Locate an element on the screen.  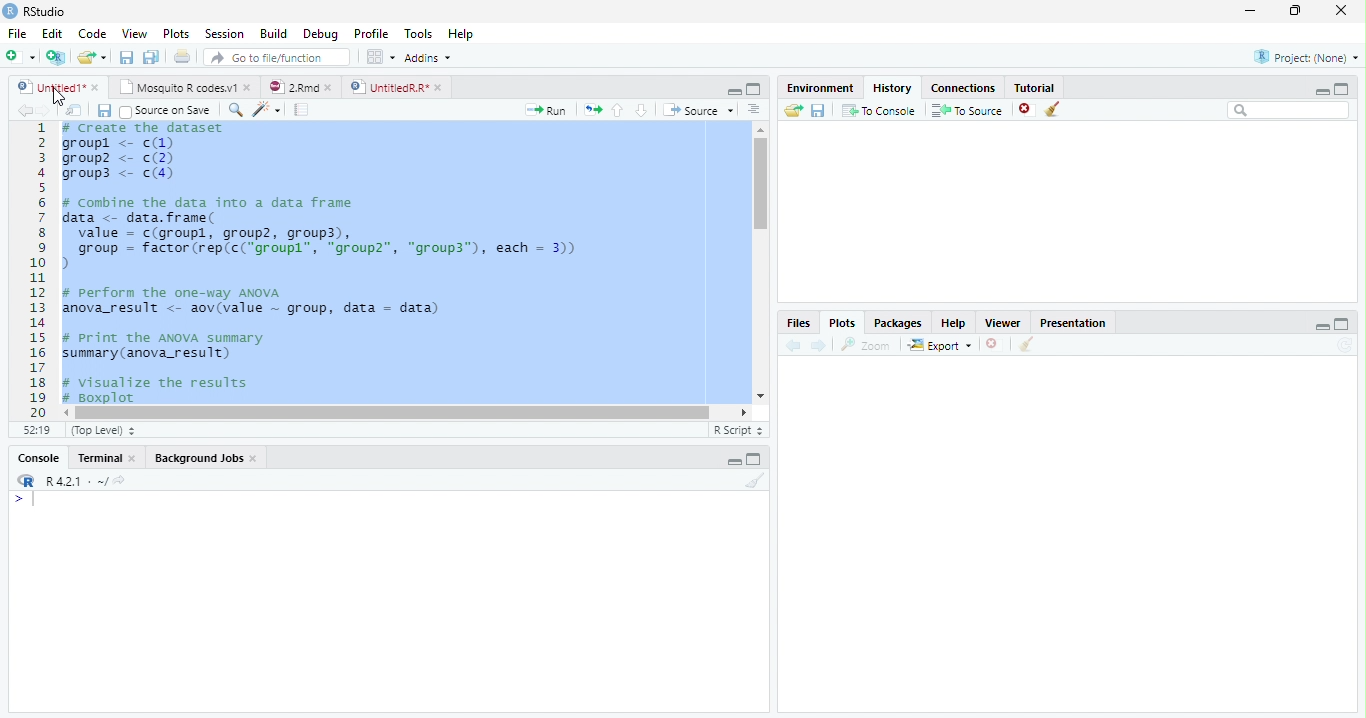
maximize is located at coordinates (1345, 88).